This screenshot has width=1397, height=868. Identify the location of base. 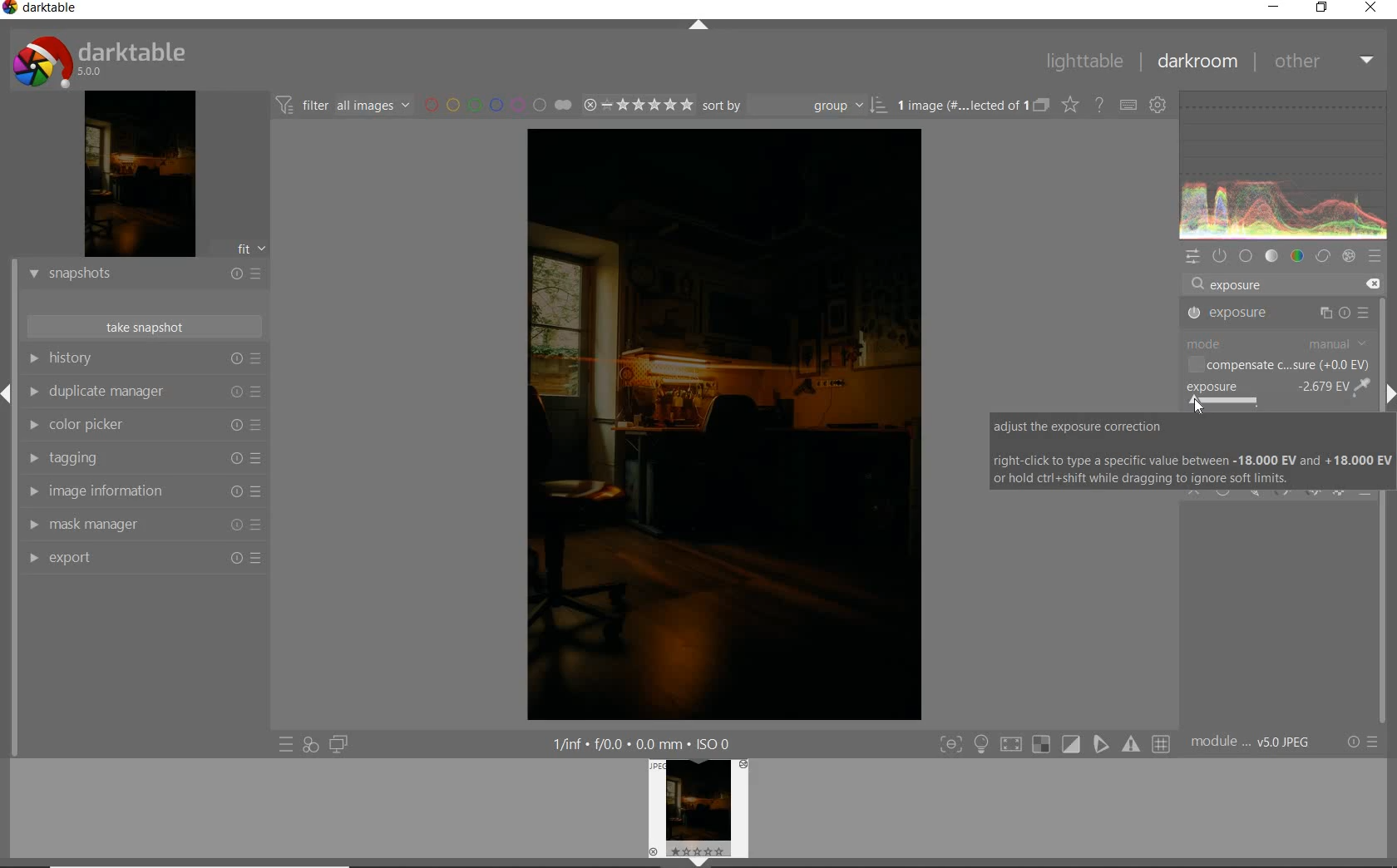
(1246, 256).